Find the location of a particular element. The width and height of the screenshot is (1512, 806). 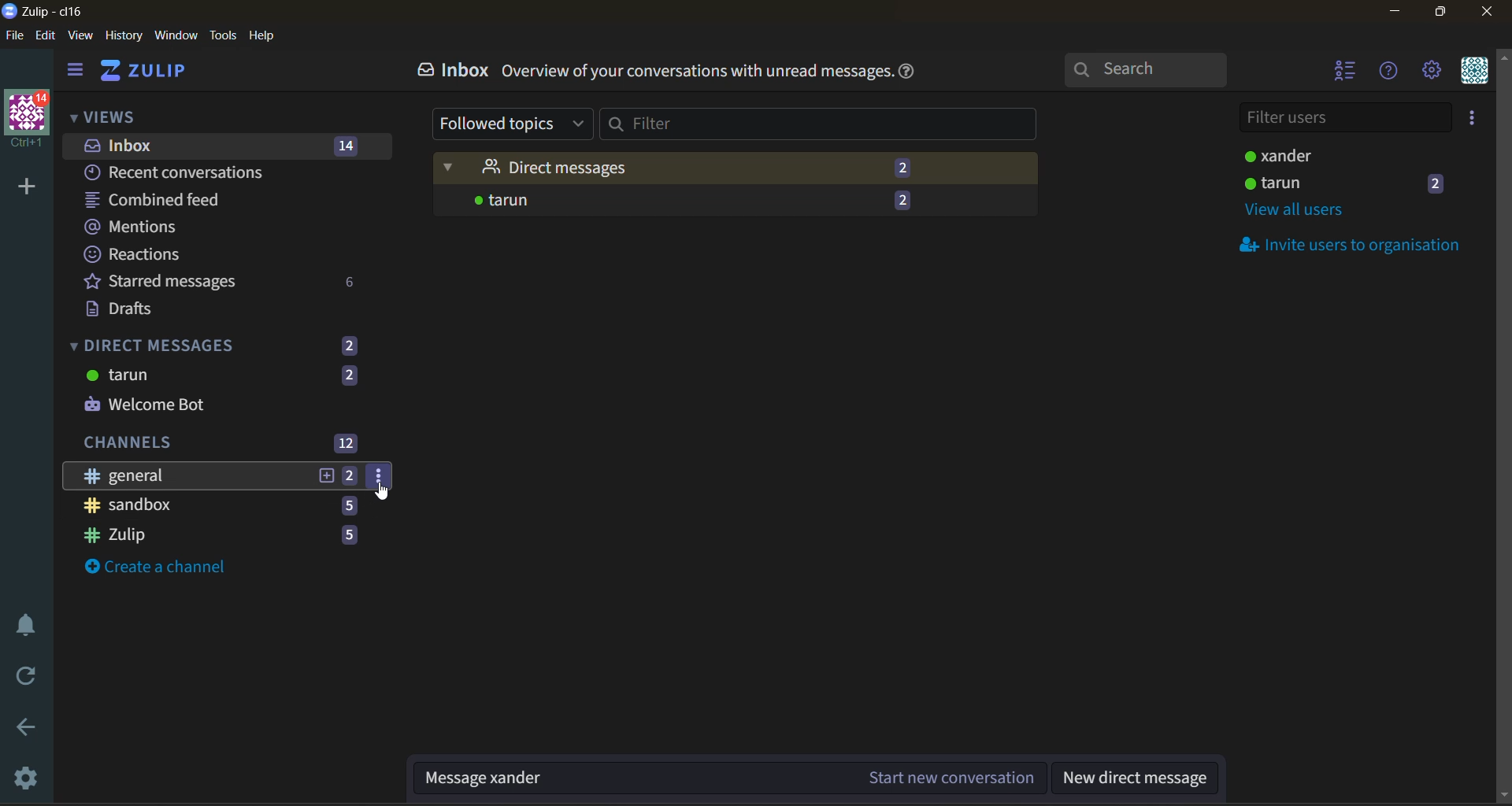

filter users is located at coordinates (1343, 120).